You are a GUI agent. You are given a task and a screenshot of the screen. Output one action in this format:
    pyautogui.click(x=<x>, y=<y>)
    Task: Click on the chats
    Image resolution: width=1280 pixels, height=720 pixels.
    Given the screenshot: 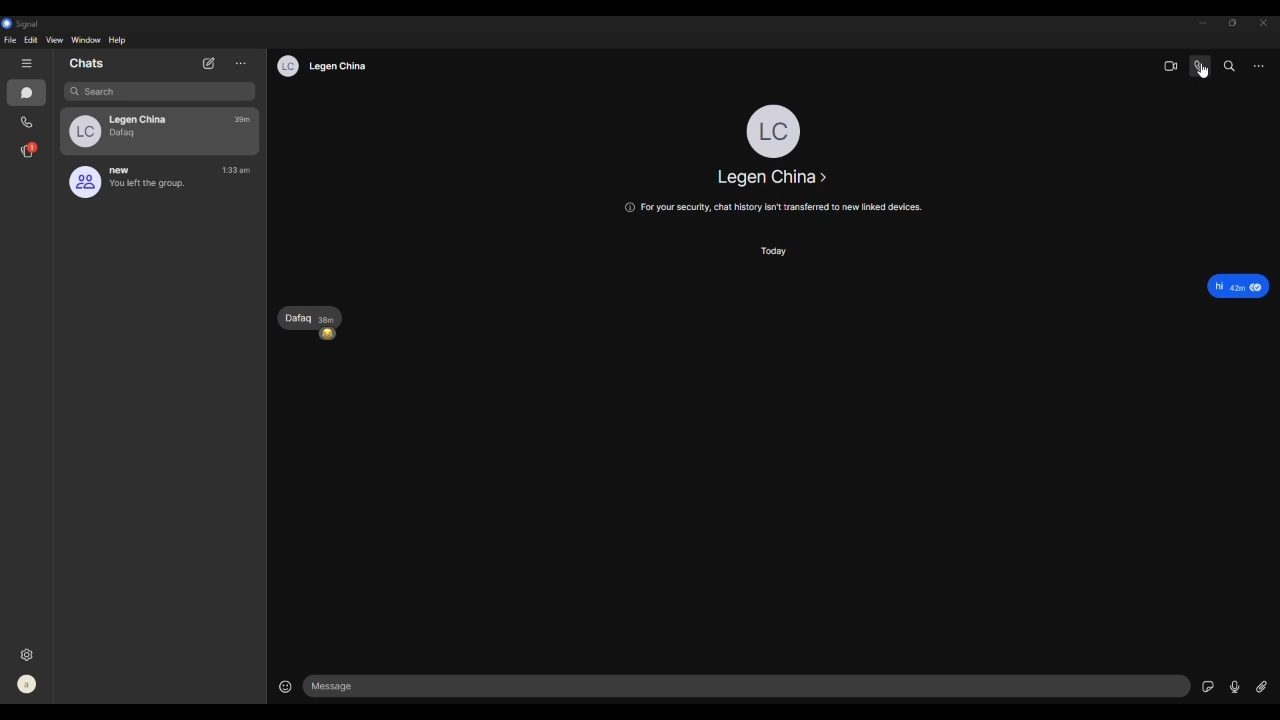 What is the action you would take?
    pyautogui.click(x=93, y=64)
    